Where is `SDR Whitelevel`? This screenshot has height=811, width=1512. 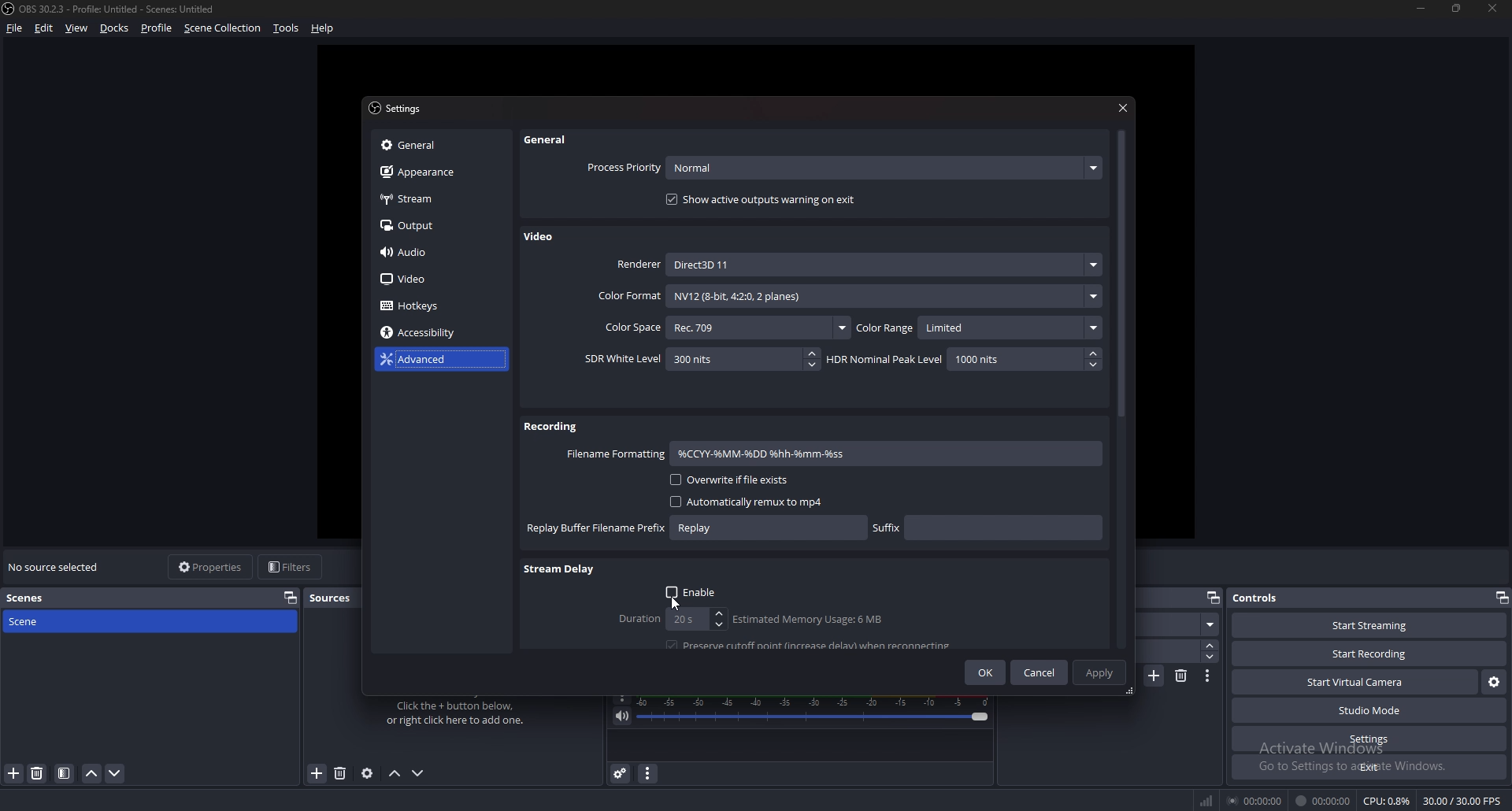
SDR Whitelevel is located at coordinates (702, 359).